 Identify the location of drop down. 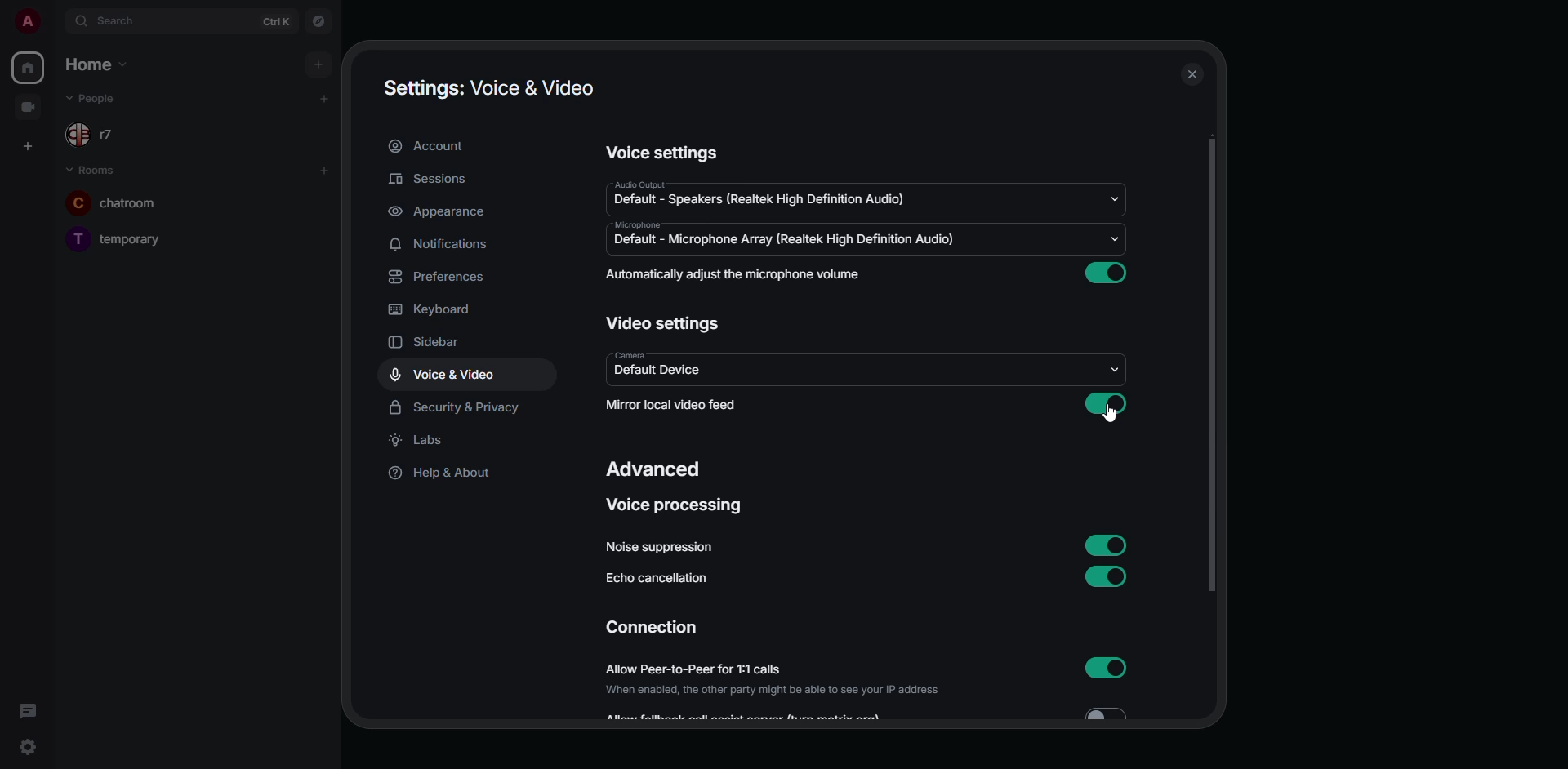
(1116, 201).